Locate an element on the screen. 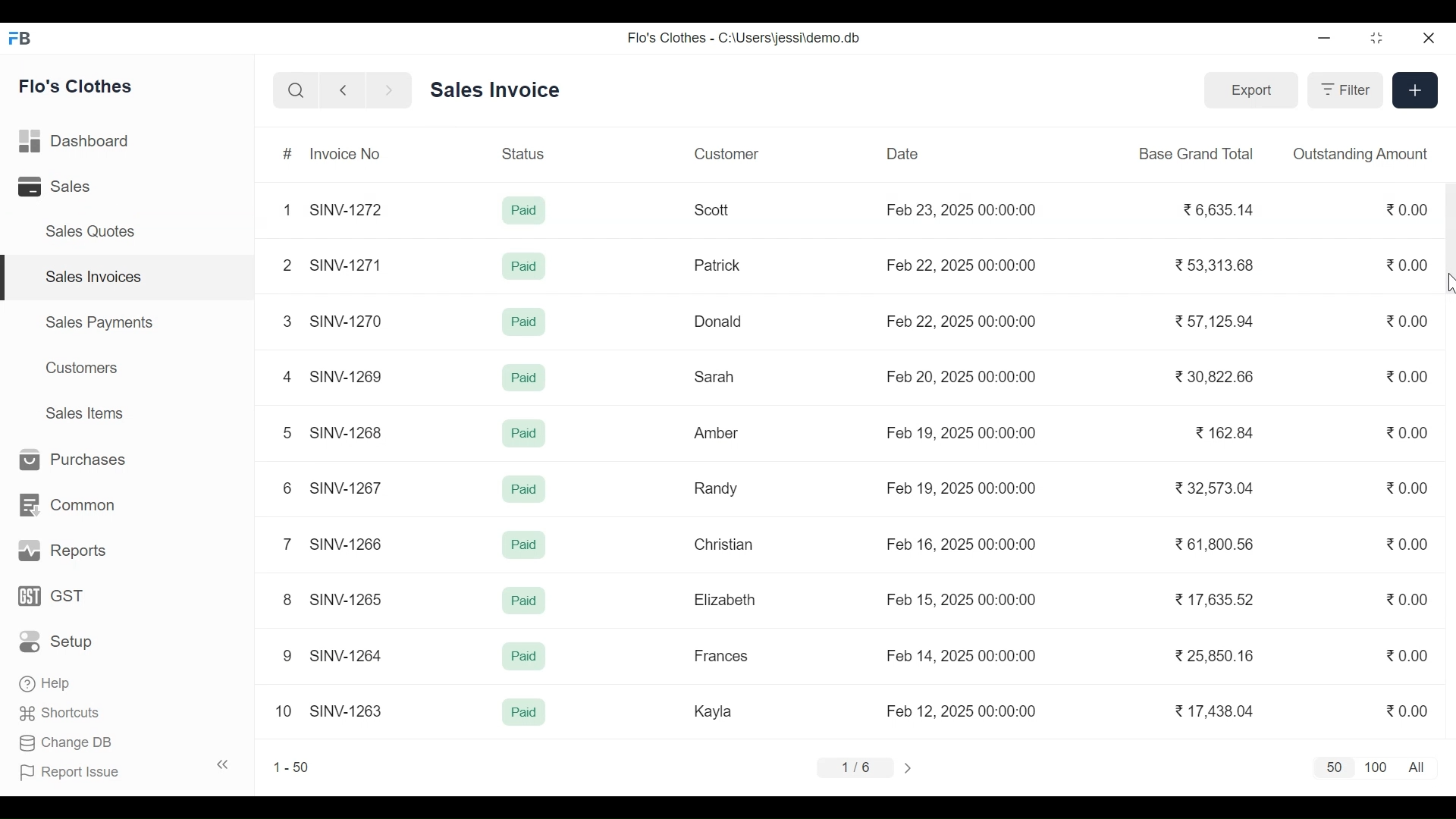 The height and width of the screenshot is (819, 1456). 1/6 is located at coordinates (854, 765).